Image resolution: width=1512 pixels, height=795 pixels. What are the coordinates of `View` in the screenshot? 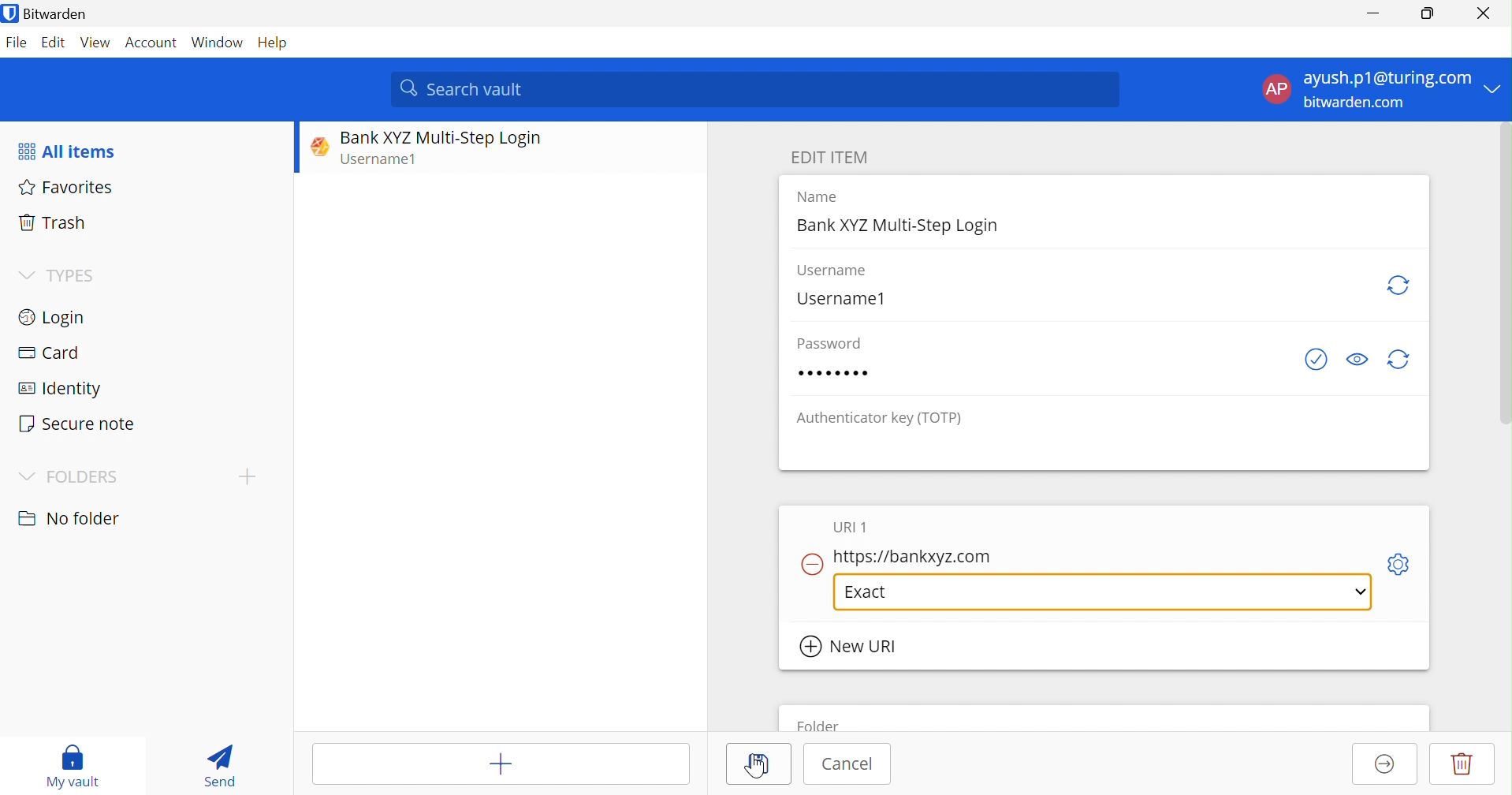 It's located at (96, 43).